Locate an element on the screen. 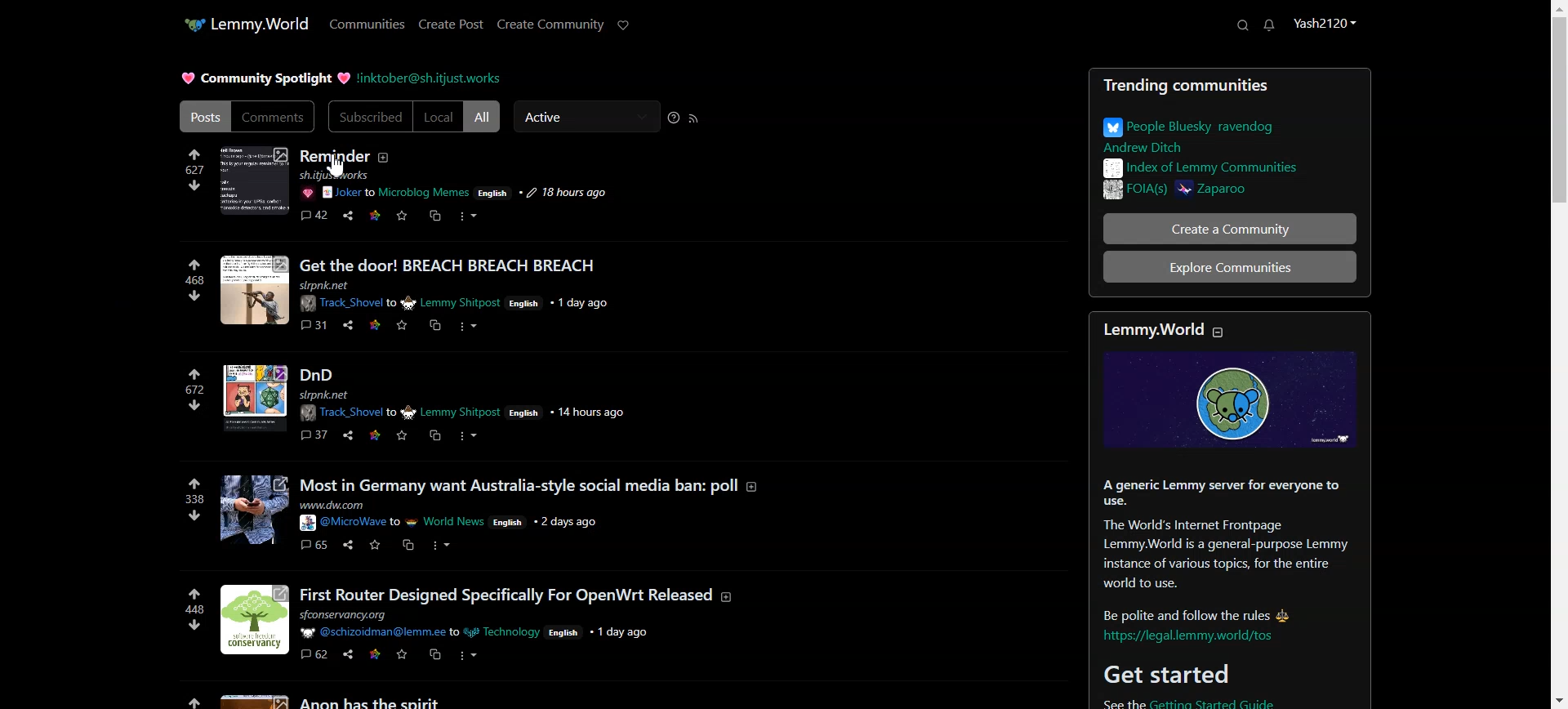  Text is located at coordinates (266, 78).